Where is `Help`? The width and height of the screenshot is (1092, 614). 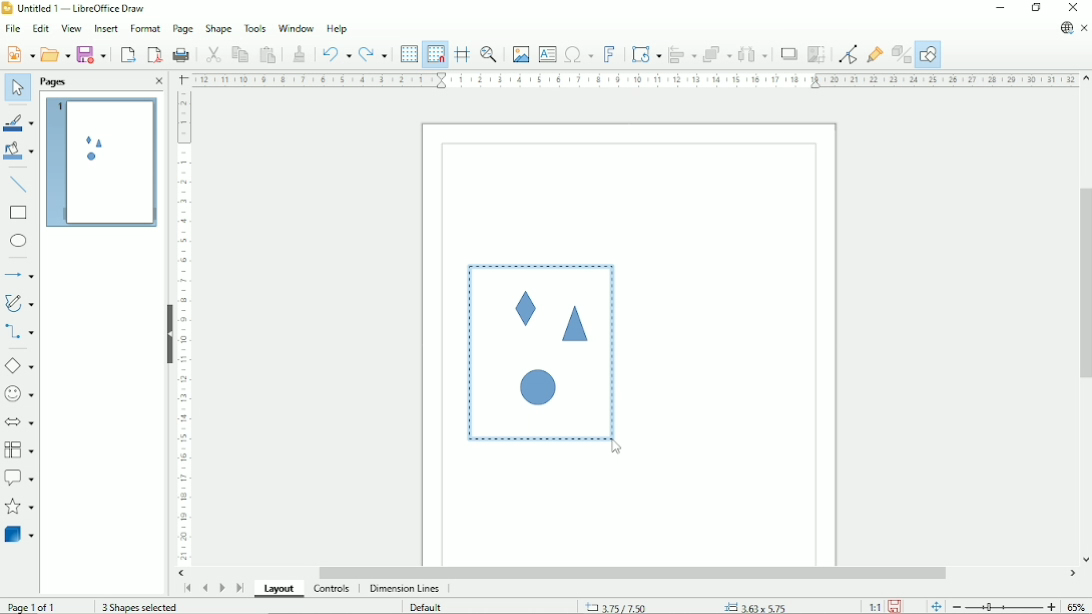 Help is located at coordinates (337, 29).